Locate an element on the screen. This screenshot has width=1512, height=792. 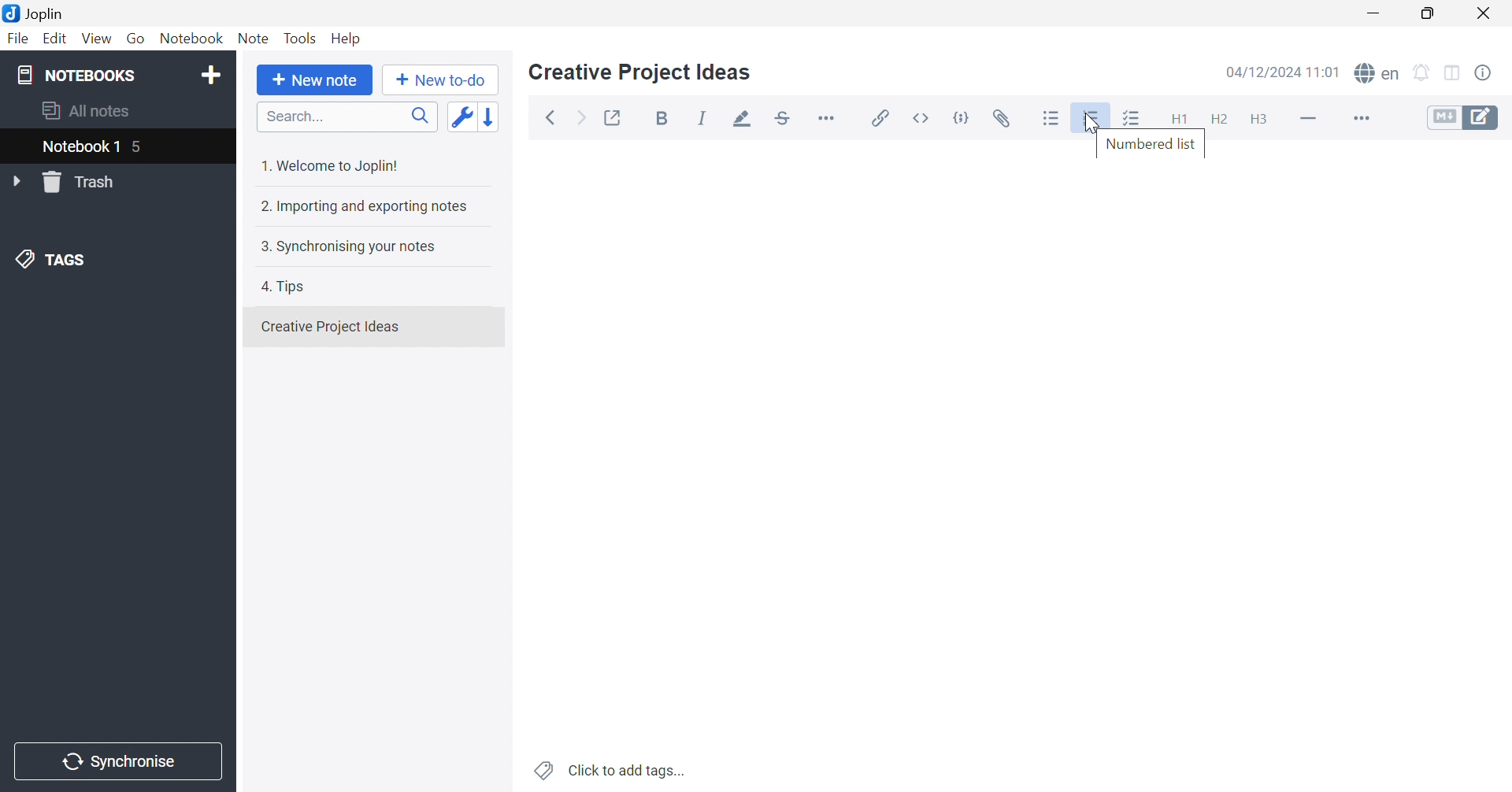
Close is located at coordinates (1487, 14).